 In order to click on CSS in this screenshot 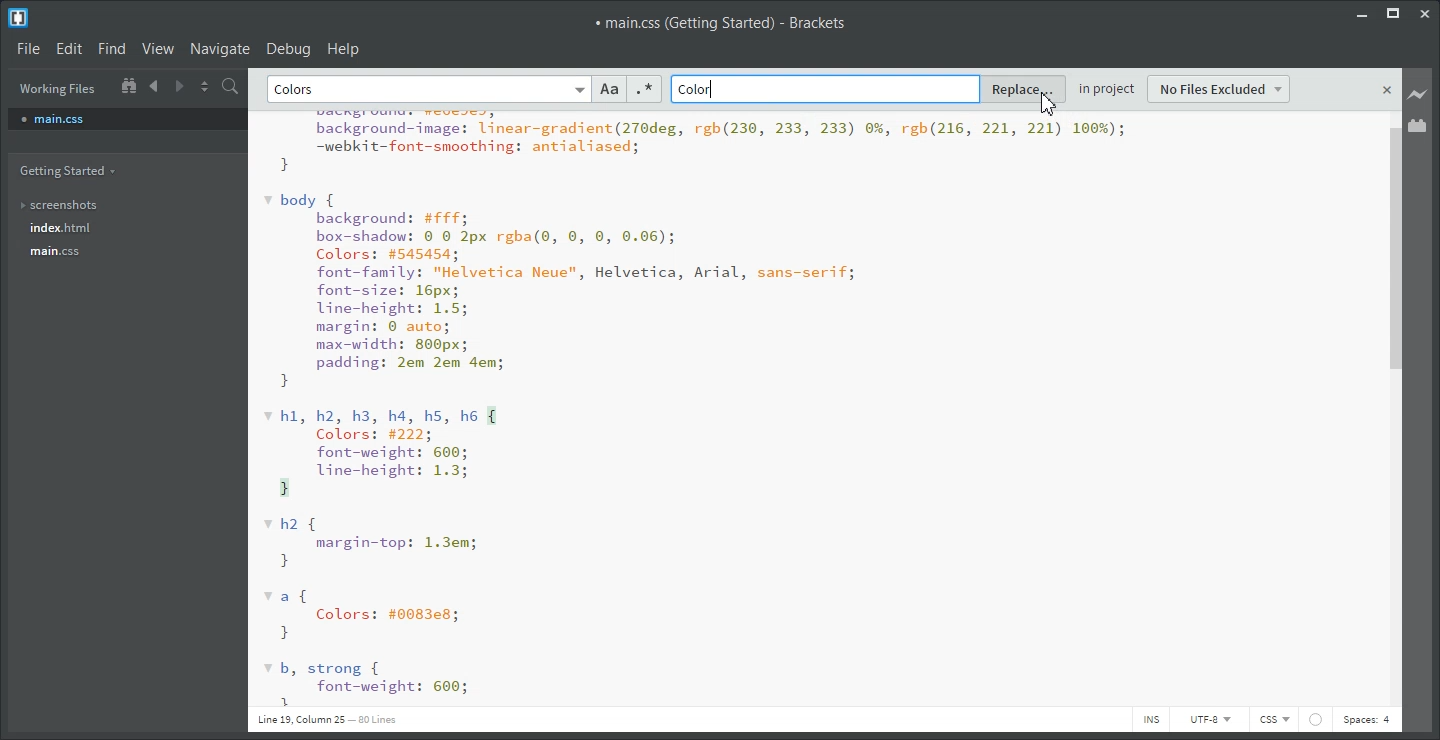, I will do `click(1274, 720)`.